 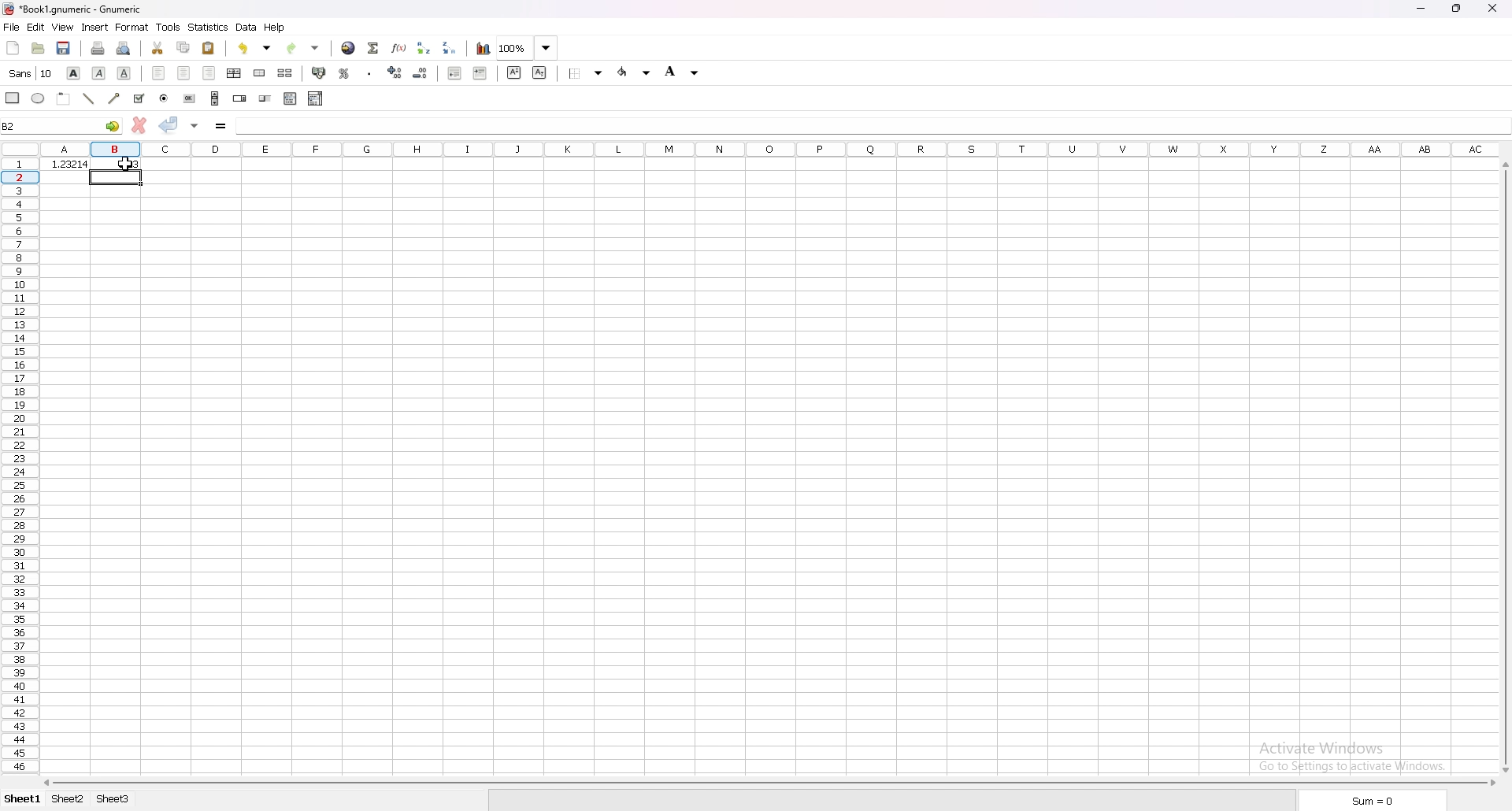 What do you see at coordinates (69, 9) in the screenshot?
I see `file name` at bounding box center [69, 9].